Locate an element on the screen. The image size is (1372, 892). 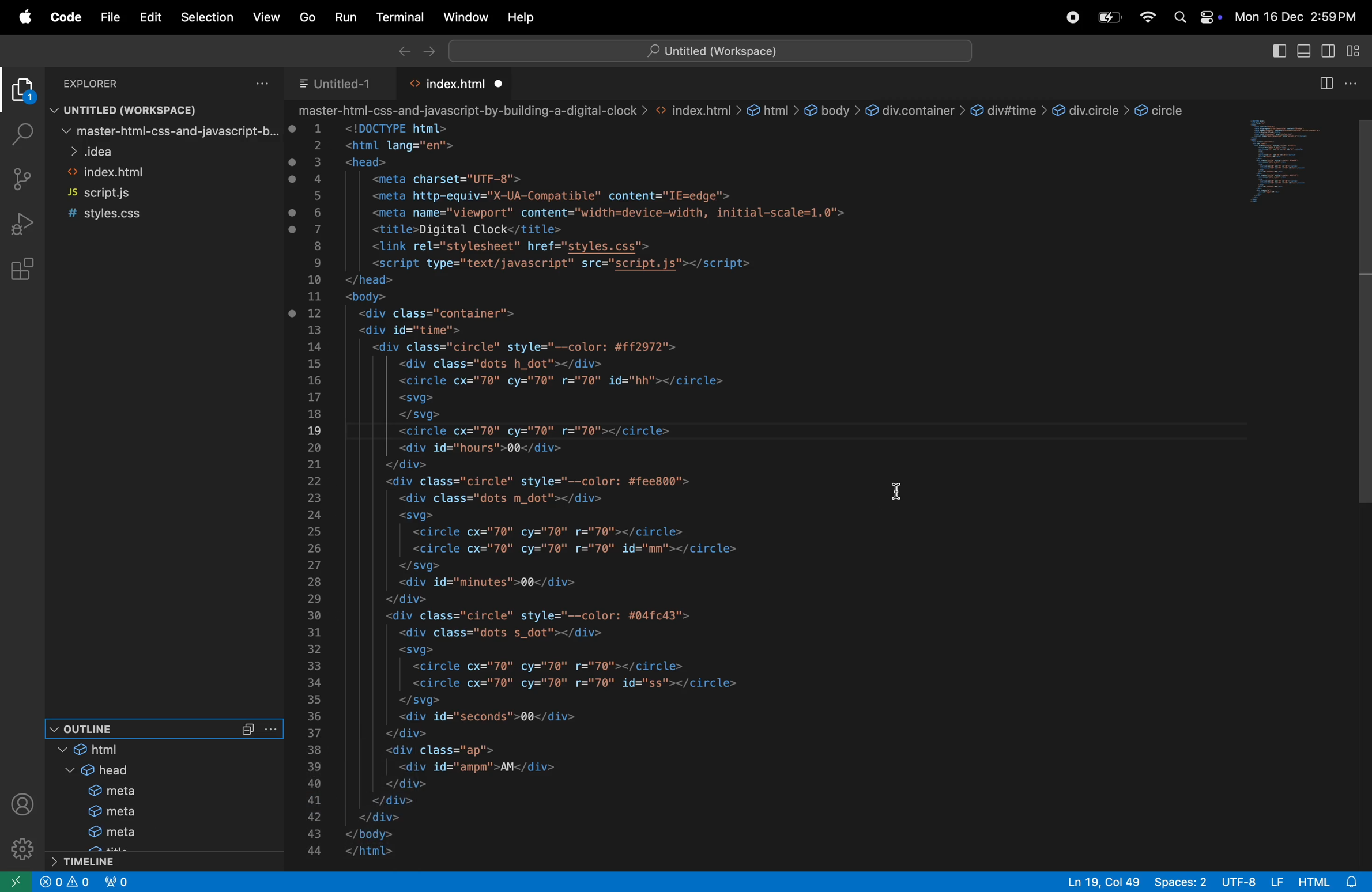
record is located at coordinates (1069, 17).